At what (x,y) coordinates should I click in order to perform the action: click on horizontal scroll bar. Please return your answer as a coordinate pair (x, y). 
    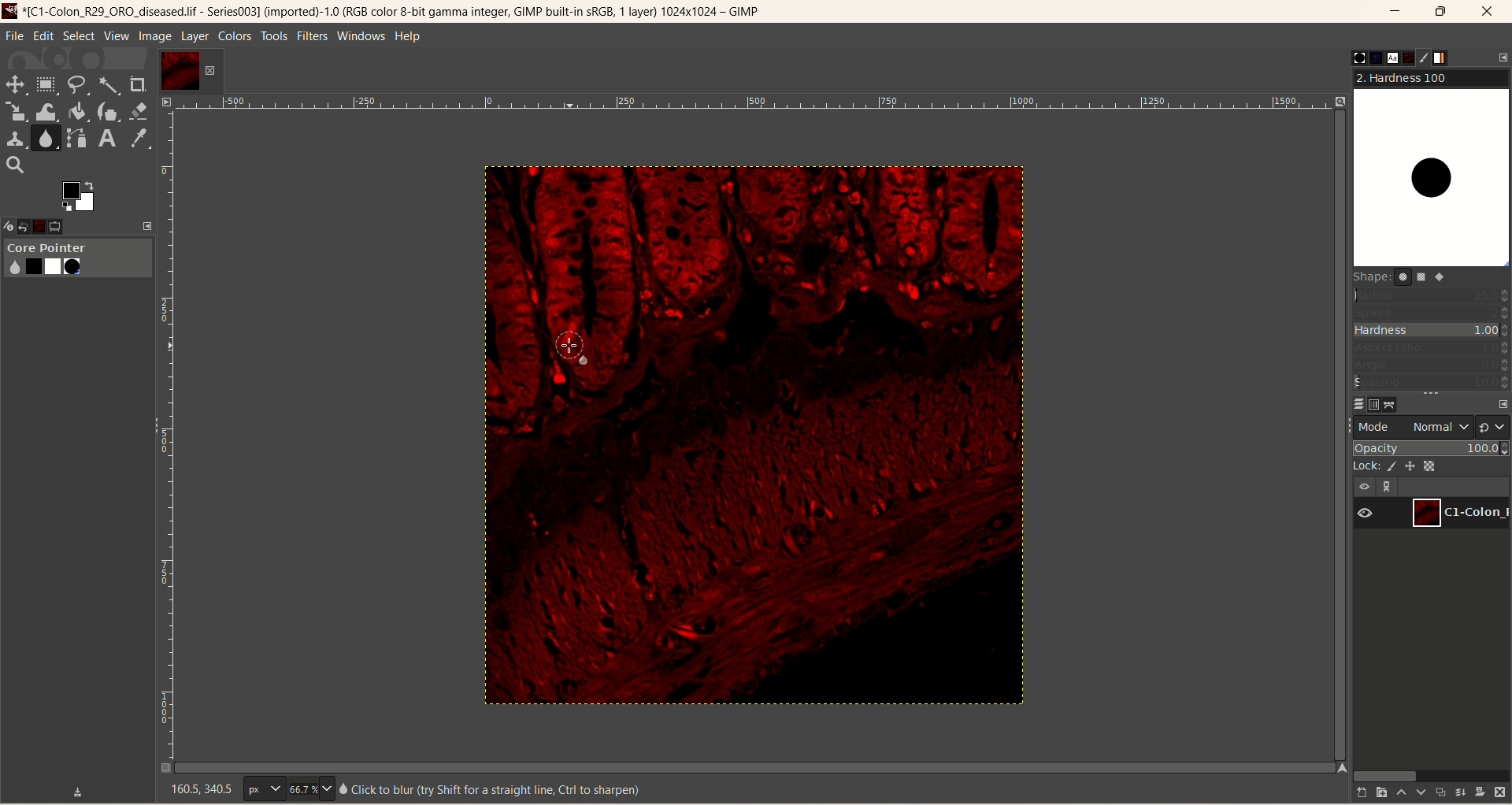
    Looking at the image, I should click on (1429, 774).